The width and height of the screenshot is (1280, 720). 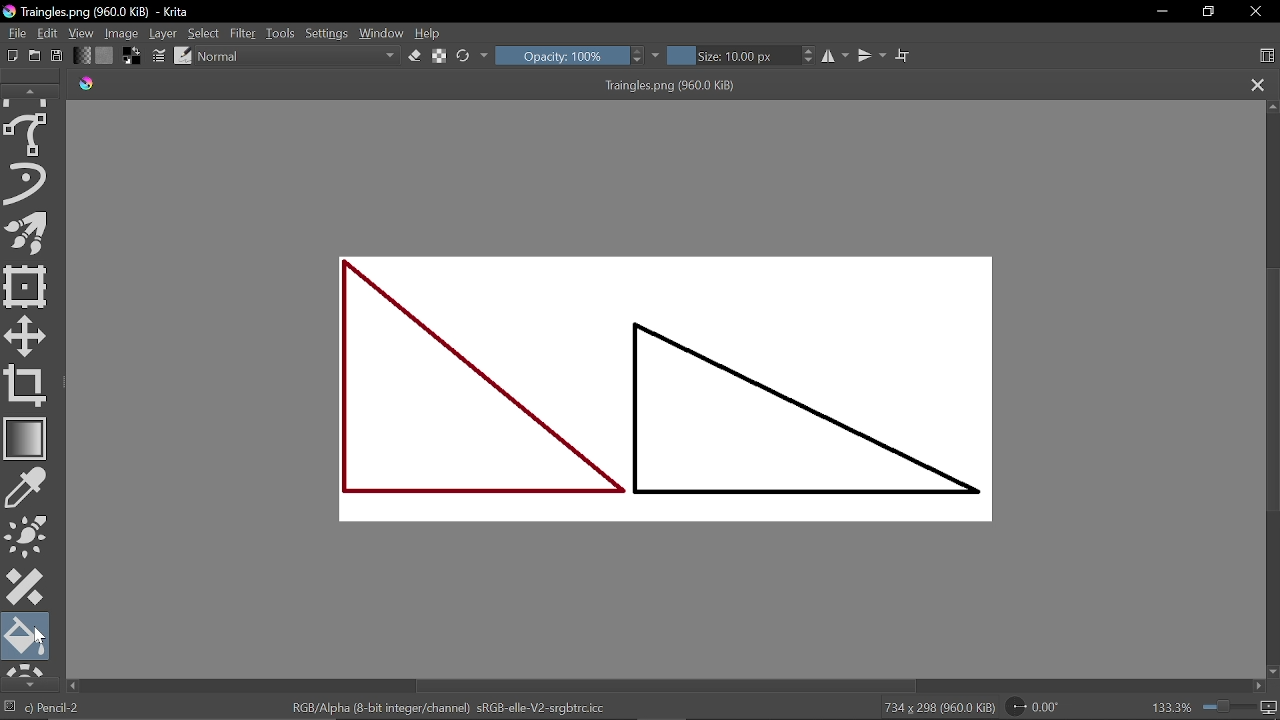 What do you see at coordinates (1266, 55) in the screenshot?
I see `Choose workspace` at bounding box center [1266, 55].